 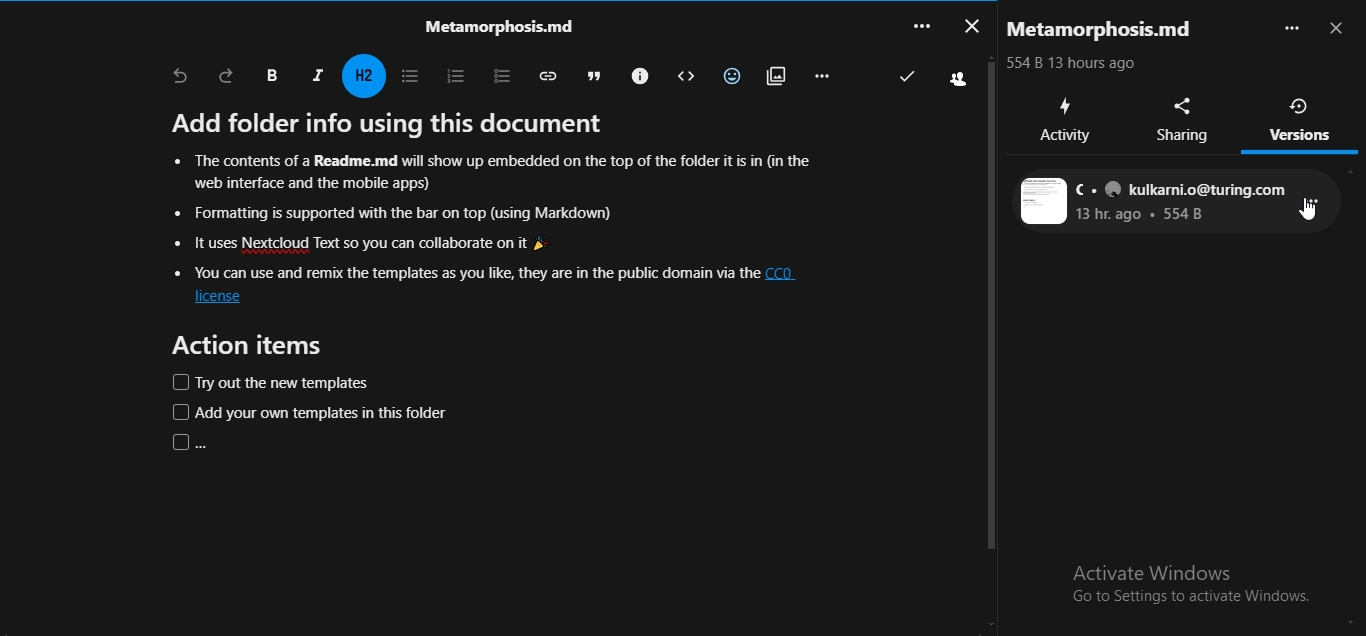 I want to click on block, so click(x=681, y=76).